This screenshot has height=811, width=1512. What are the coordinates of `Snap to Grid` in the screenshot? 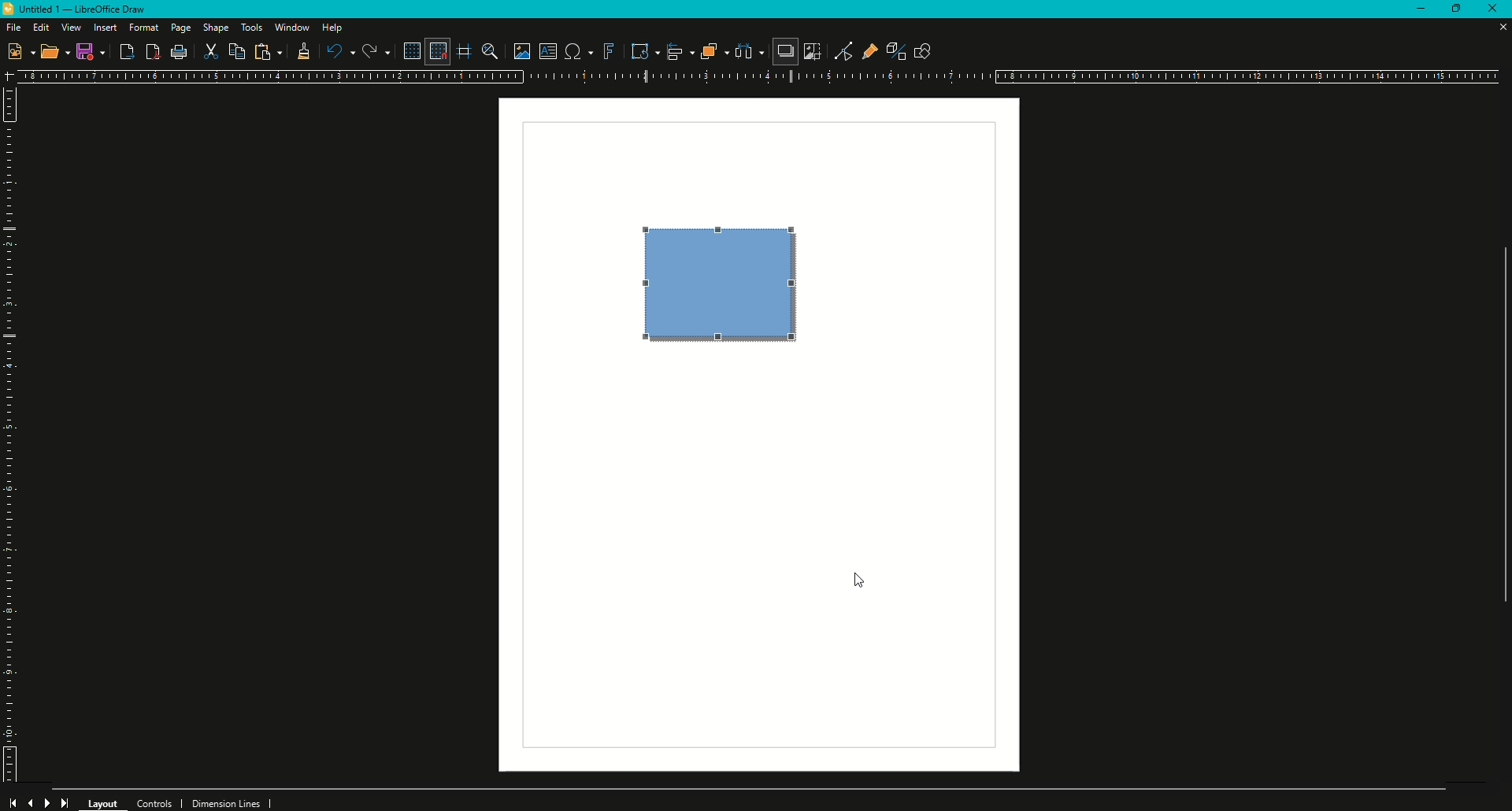 It's located at (436, 51).